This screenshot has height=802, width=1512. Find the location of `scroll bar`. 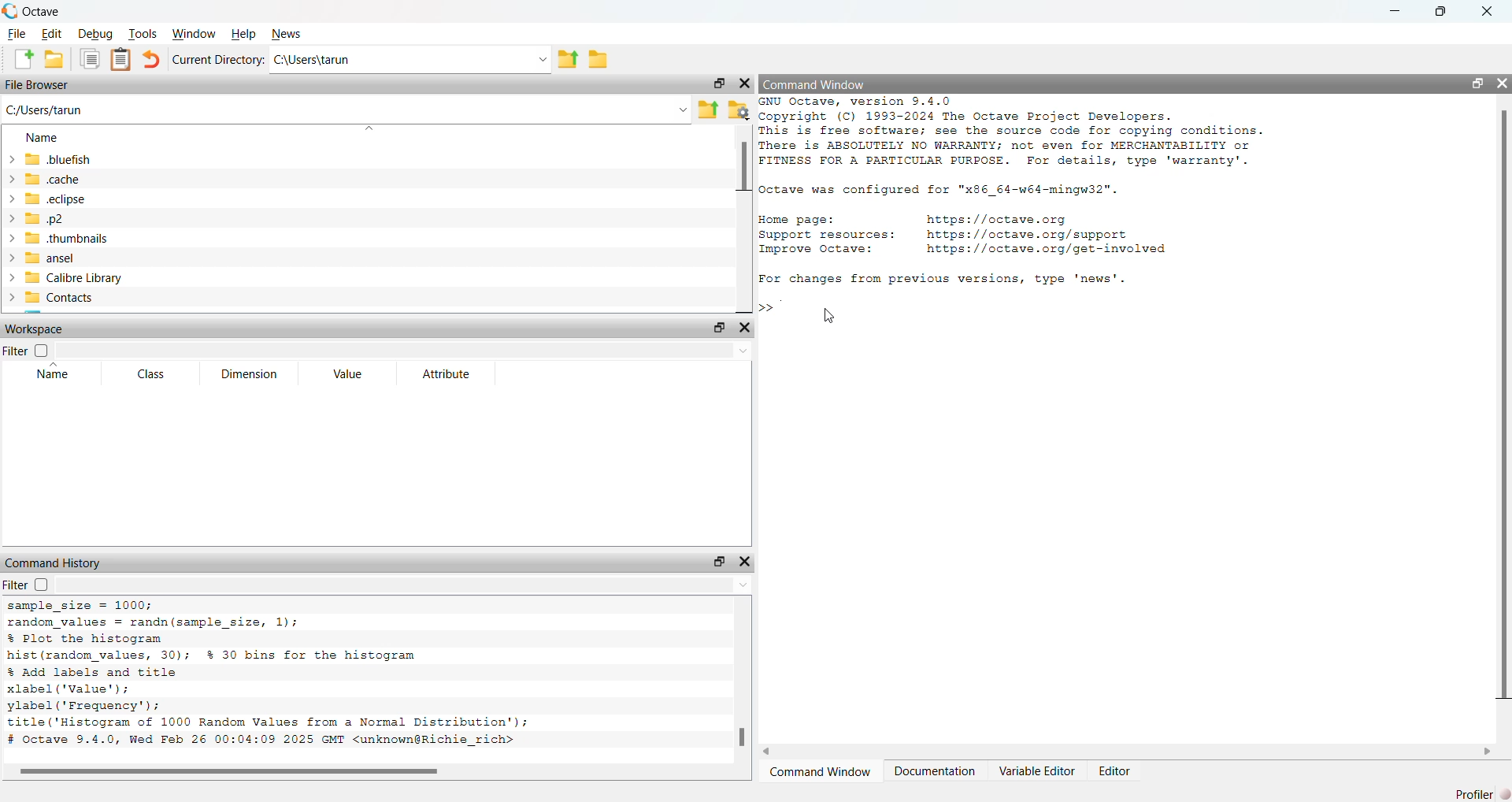

scroll bar is located at coordinates (743, 167).